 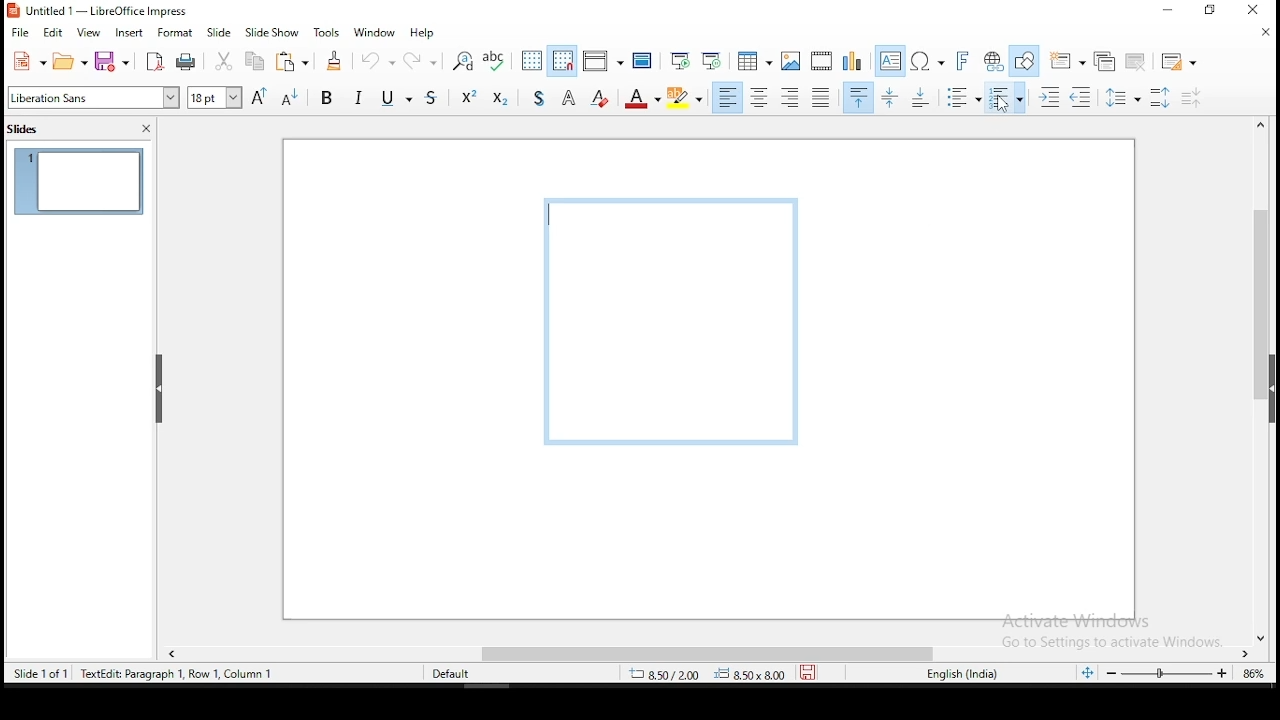 I want to click on toggle unordered list, so click(x=964, y=99).